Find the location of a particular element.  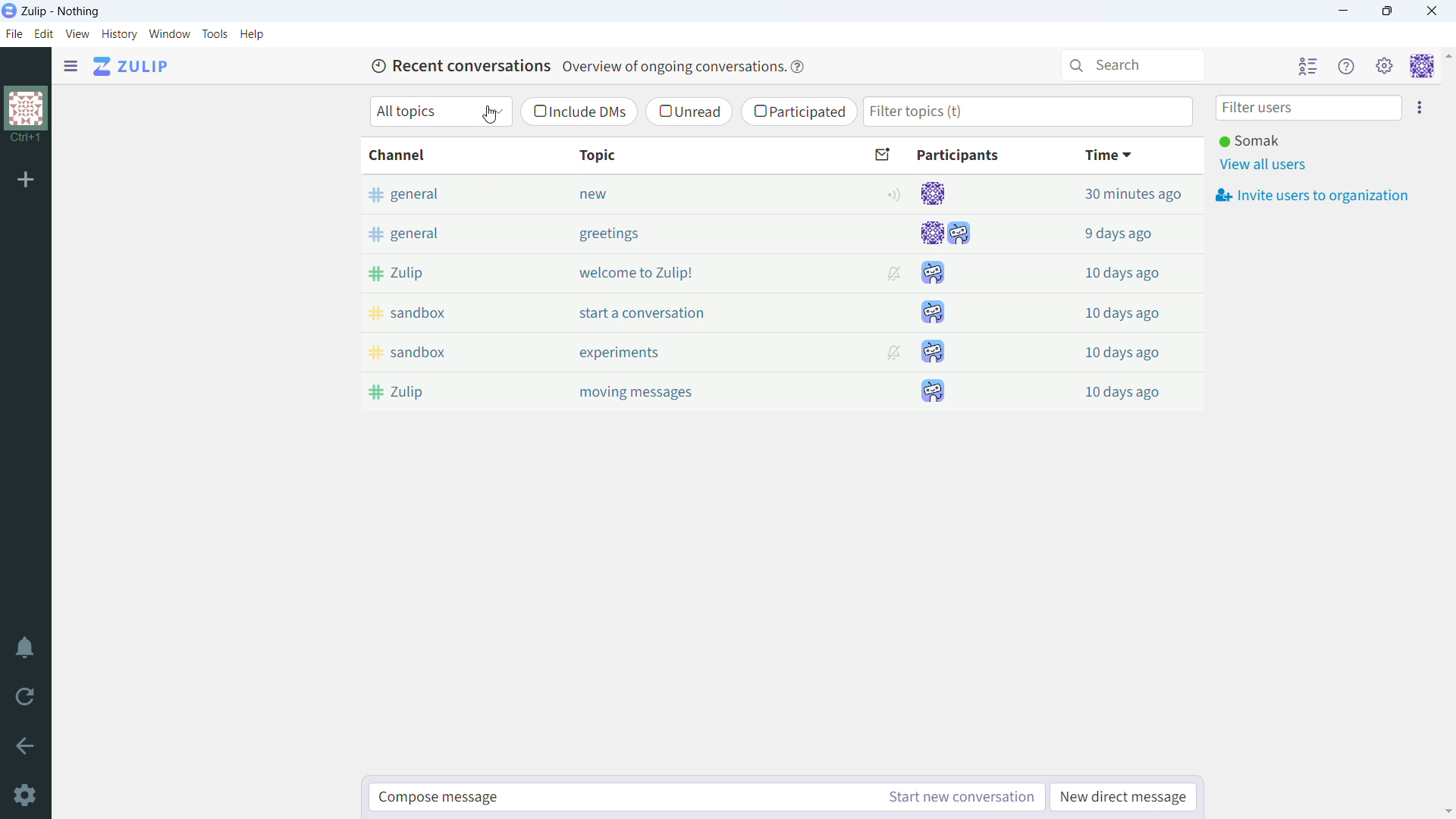

start new conversation is located at coordinates (959, 797).